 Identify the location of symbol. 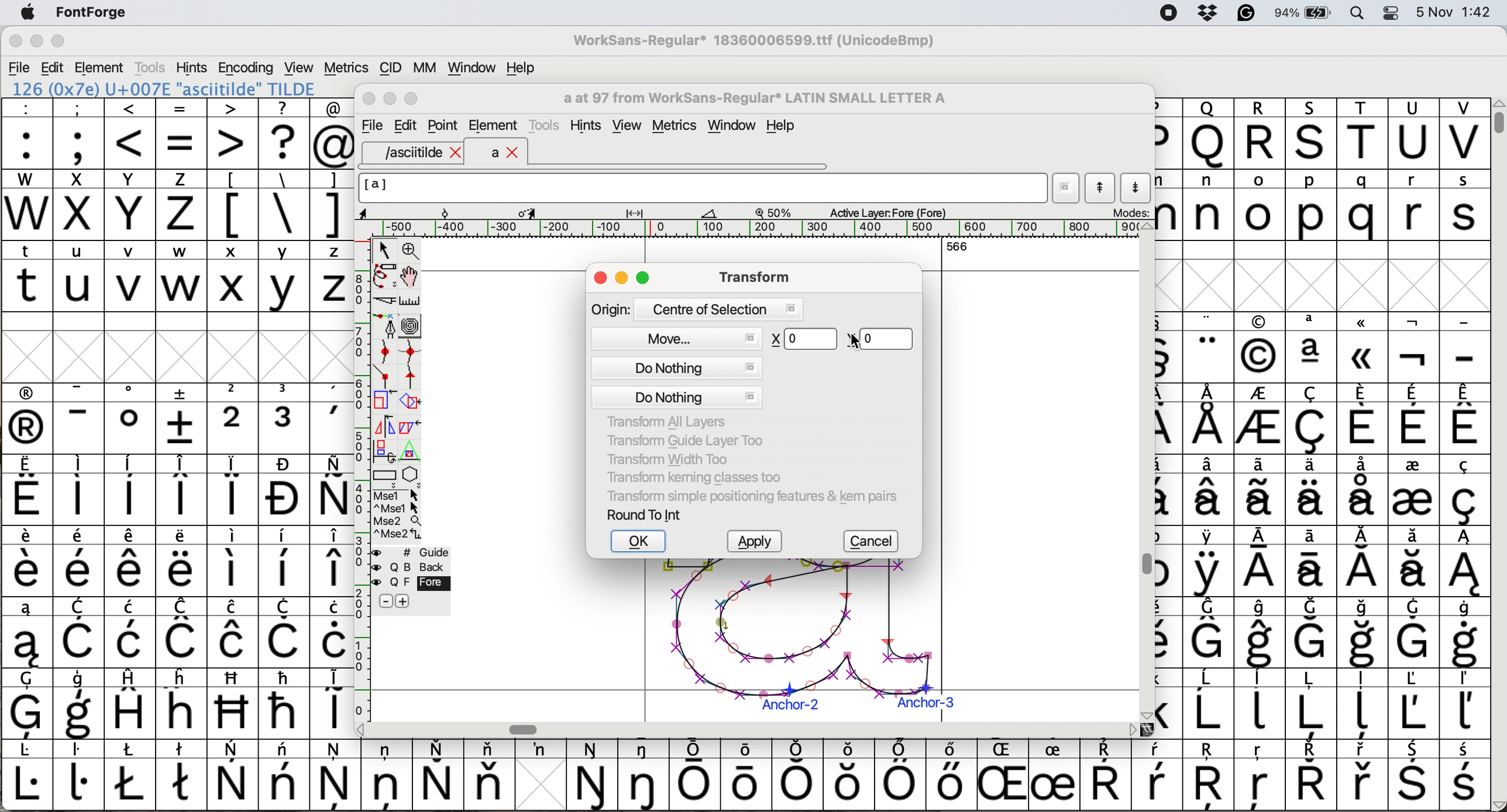
(1466, 418).